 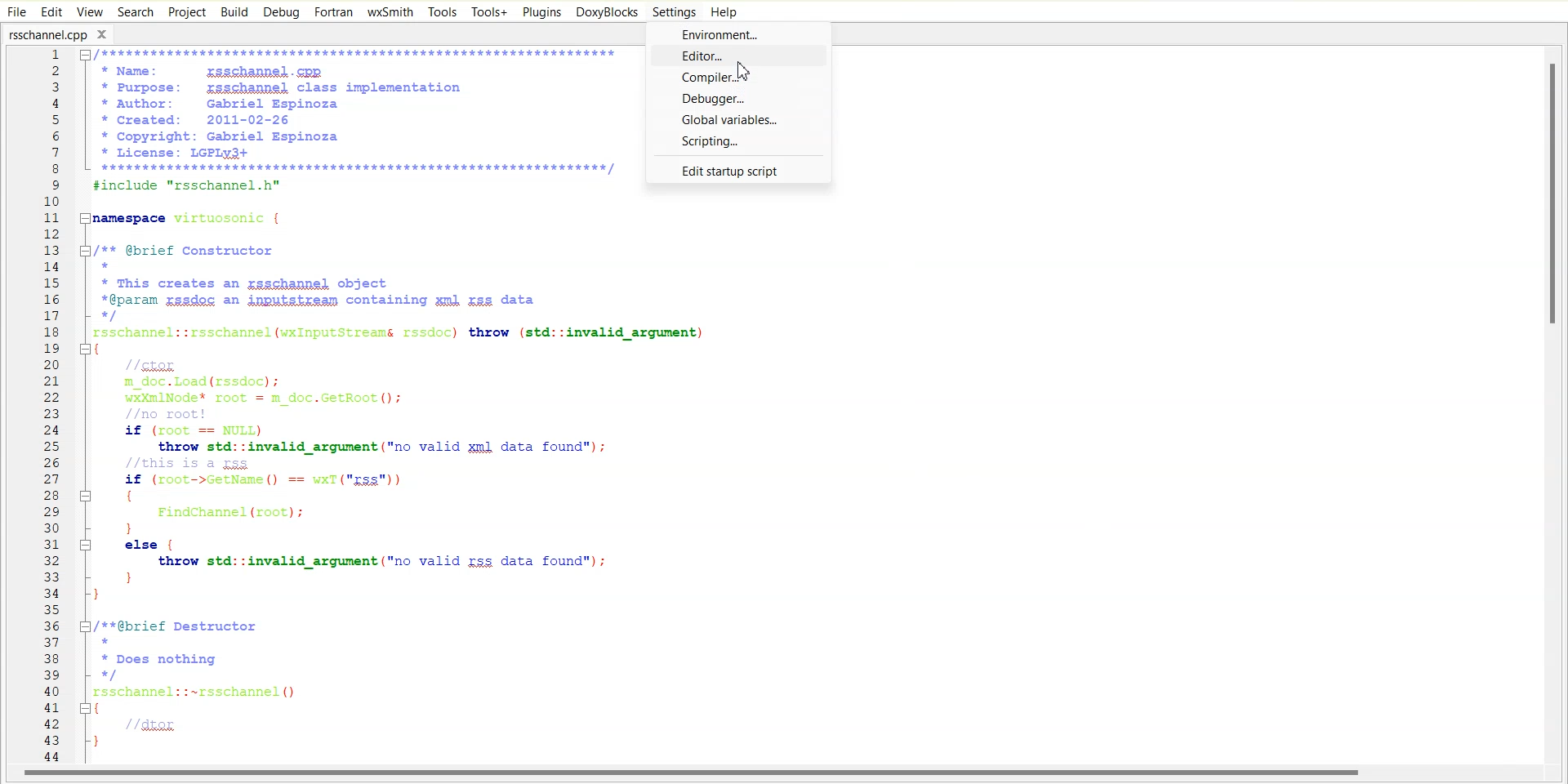 I want to click on Horizontal Scroll bar, so click(x=694, y=775).